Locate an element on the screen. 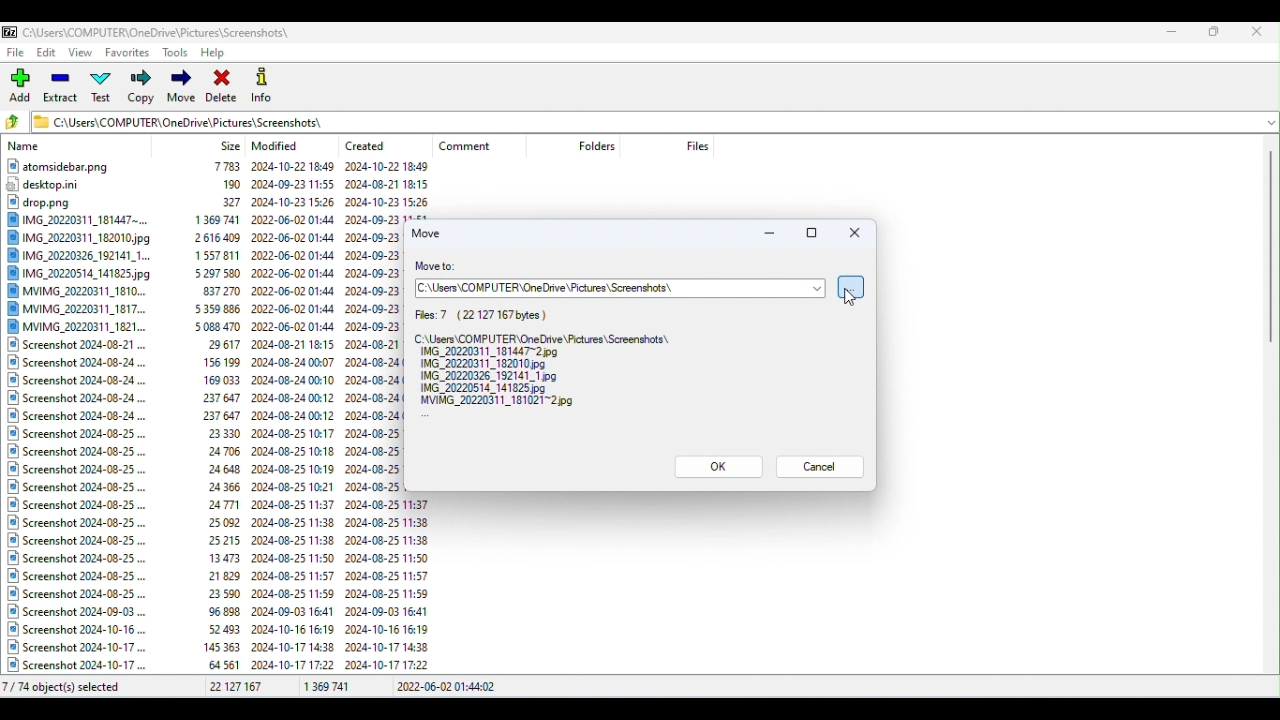 This screenshot has width=1280, height=720. Move is located at coordinates (181, 88).